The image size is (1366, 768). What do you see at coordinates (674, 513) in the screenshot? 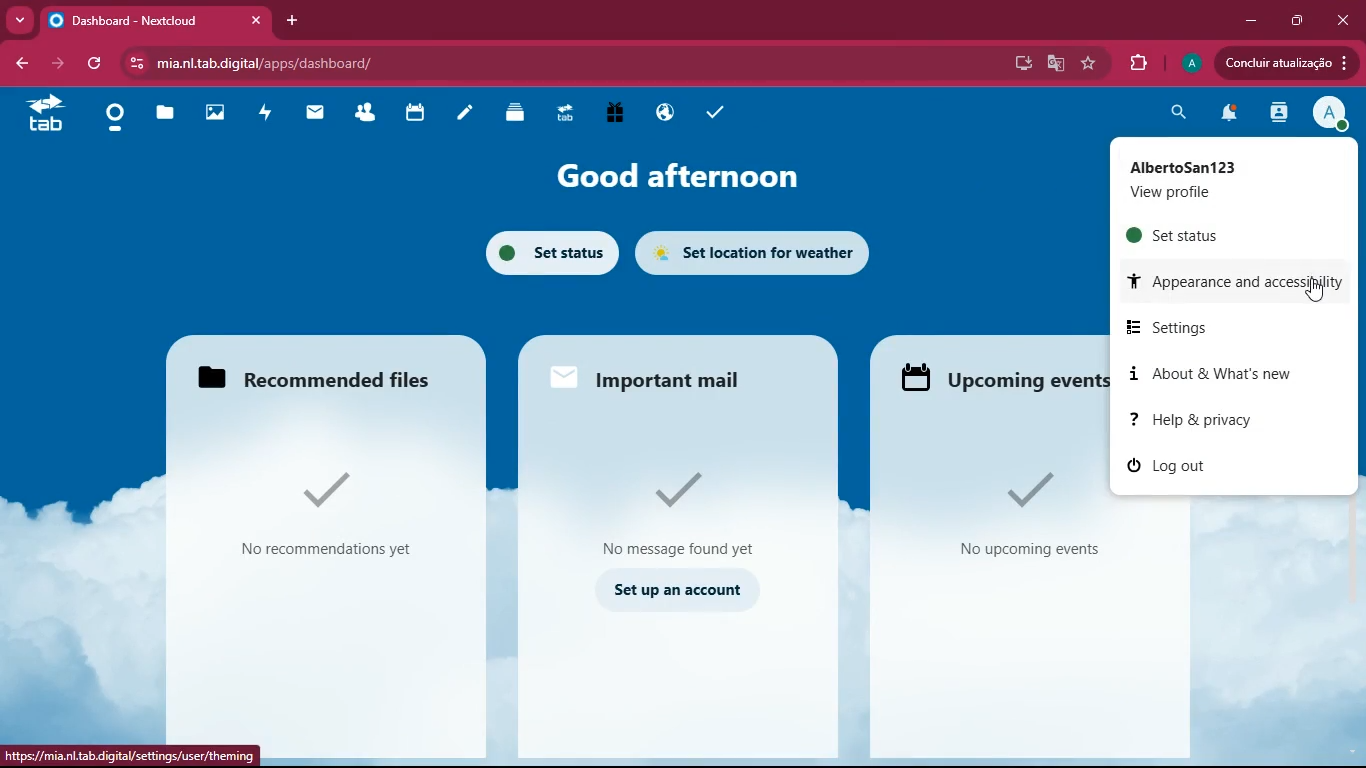
I see `message` at bounding box center [674, 513].